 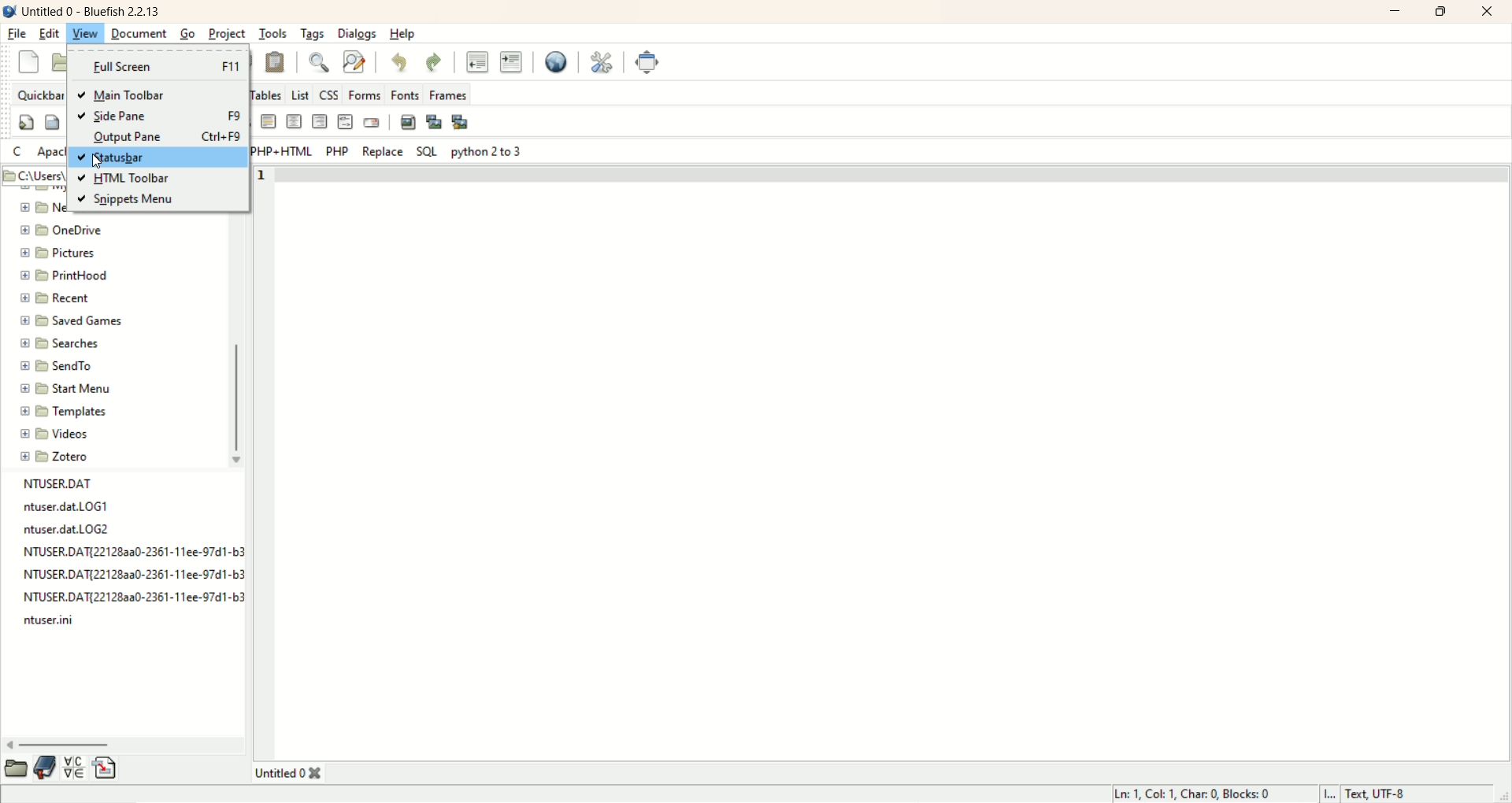 I want to click on insert file, so click(x=107, y=768).